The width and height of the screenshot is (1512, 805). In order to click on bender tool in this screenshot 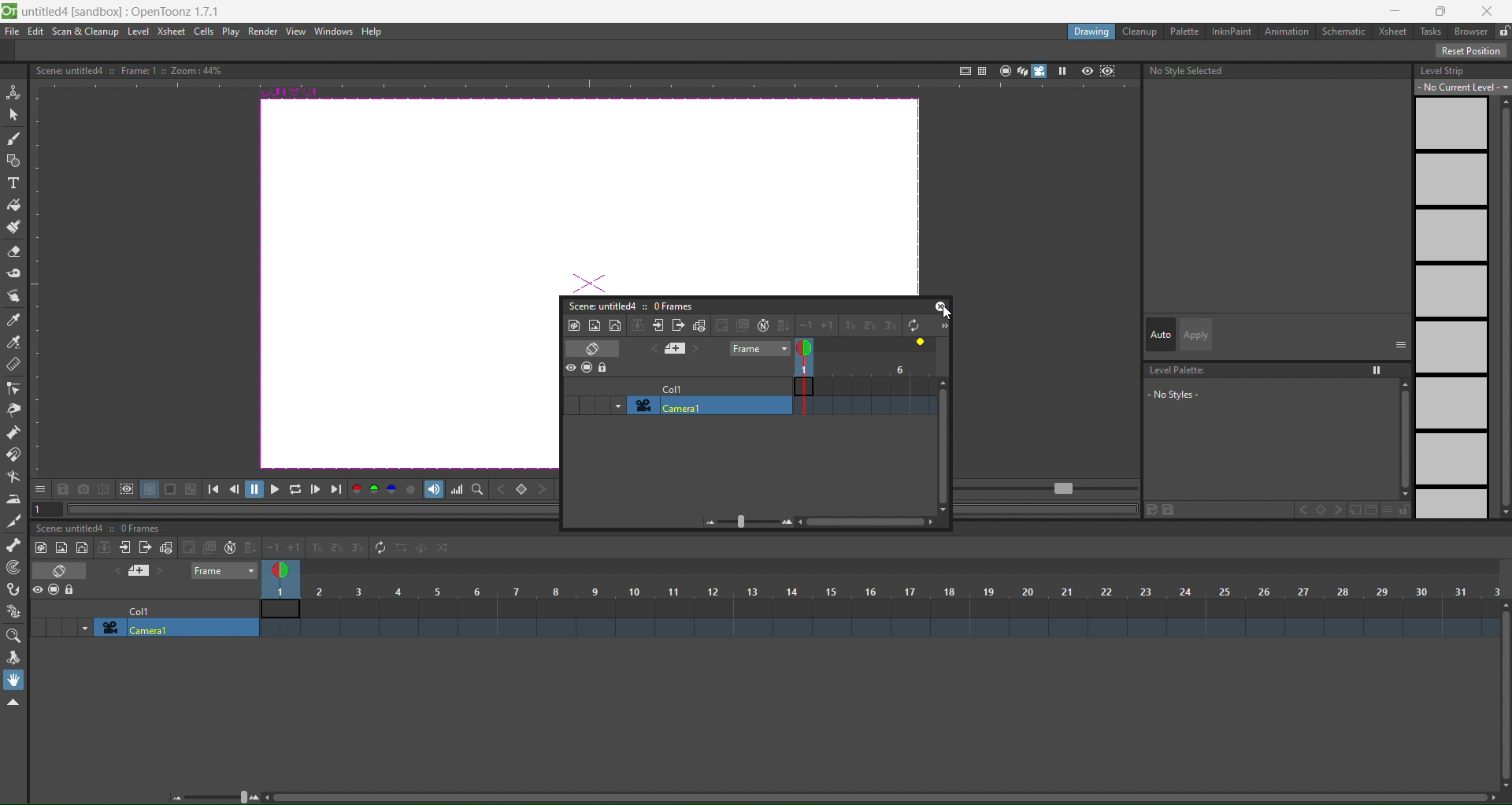, I will do `click(14, 477)`.